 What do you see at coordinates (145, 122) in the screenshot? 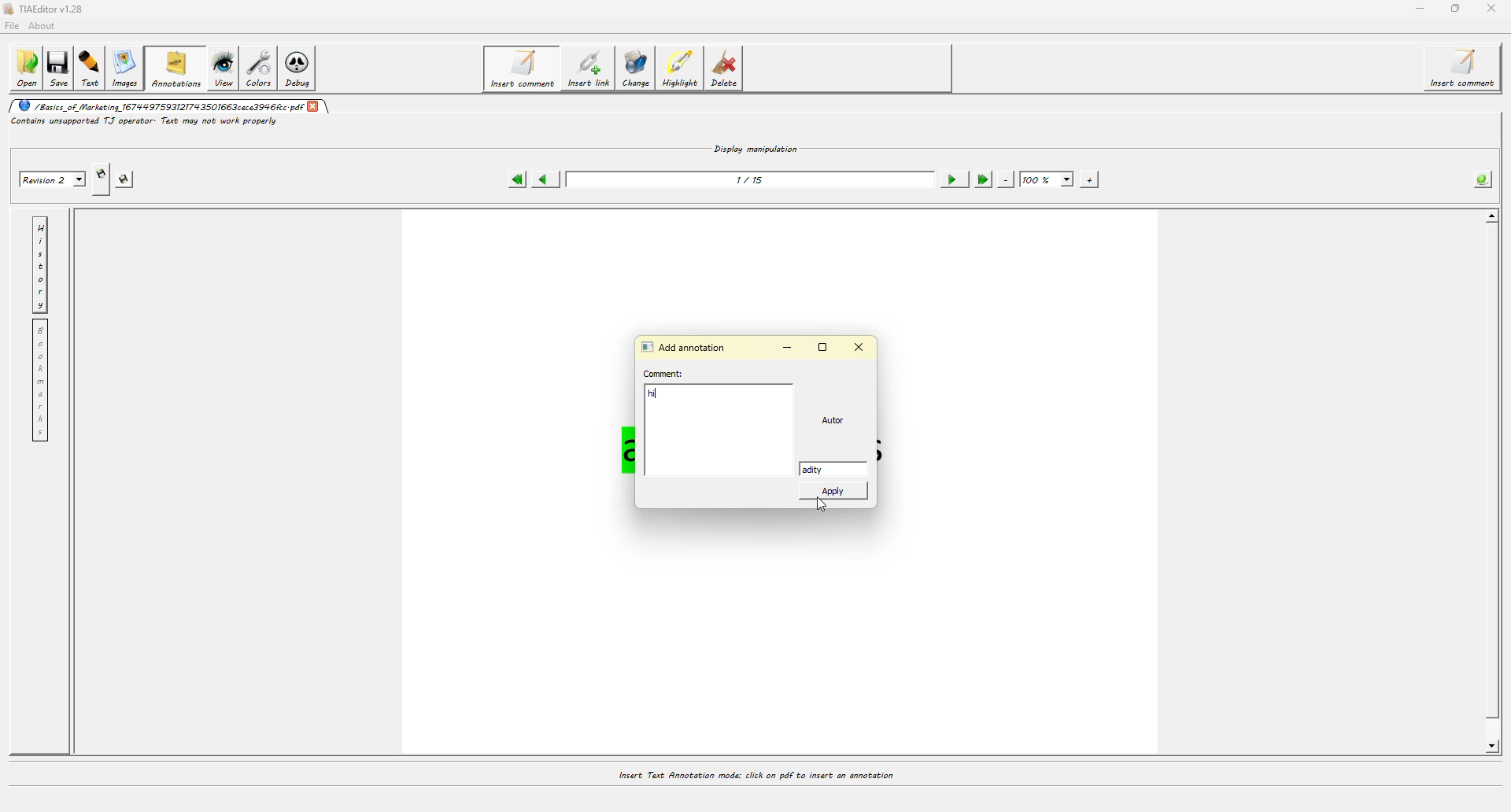
I see `Contains unsupported T.J operator: Text may not work properly` at bounding box center [145, 122].